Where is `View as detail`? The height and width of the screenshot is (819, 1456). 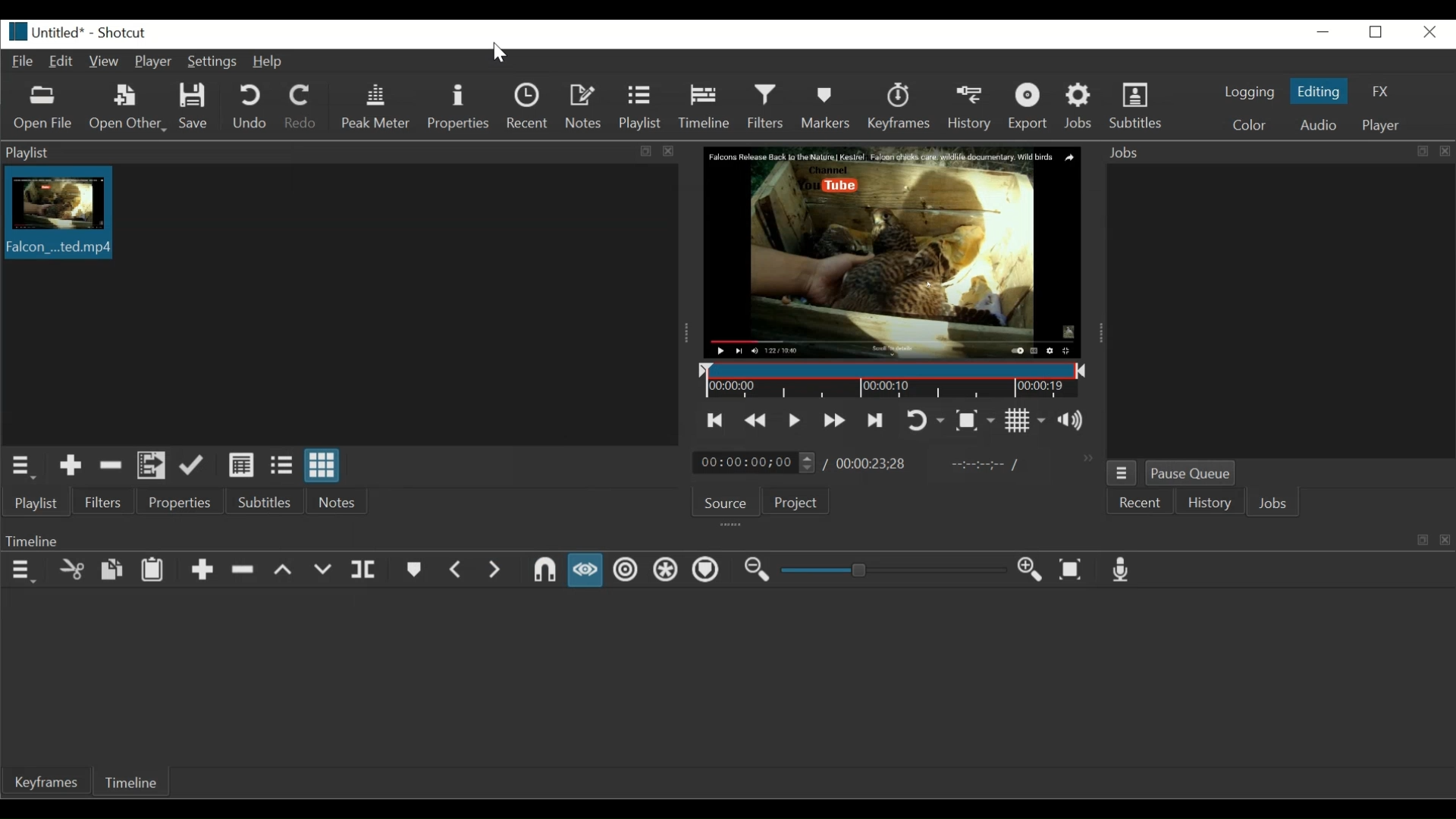 View as detail is located at coordinates (239, 465).